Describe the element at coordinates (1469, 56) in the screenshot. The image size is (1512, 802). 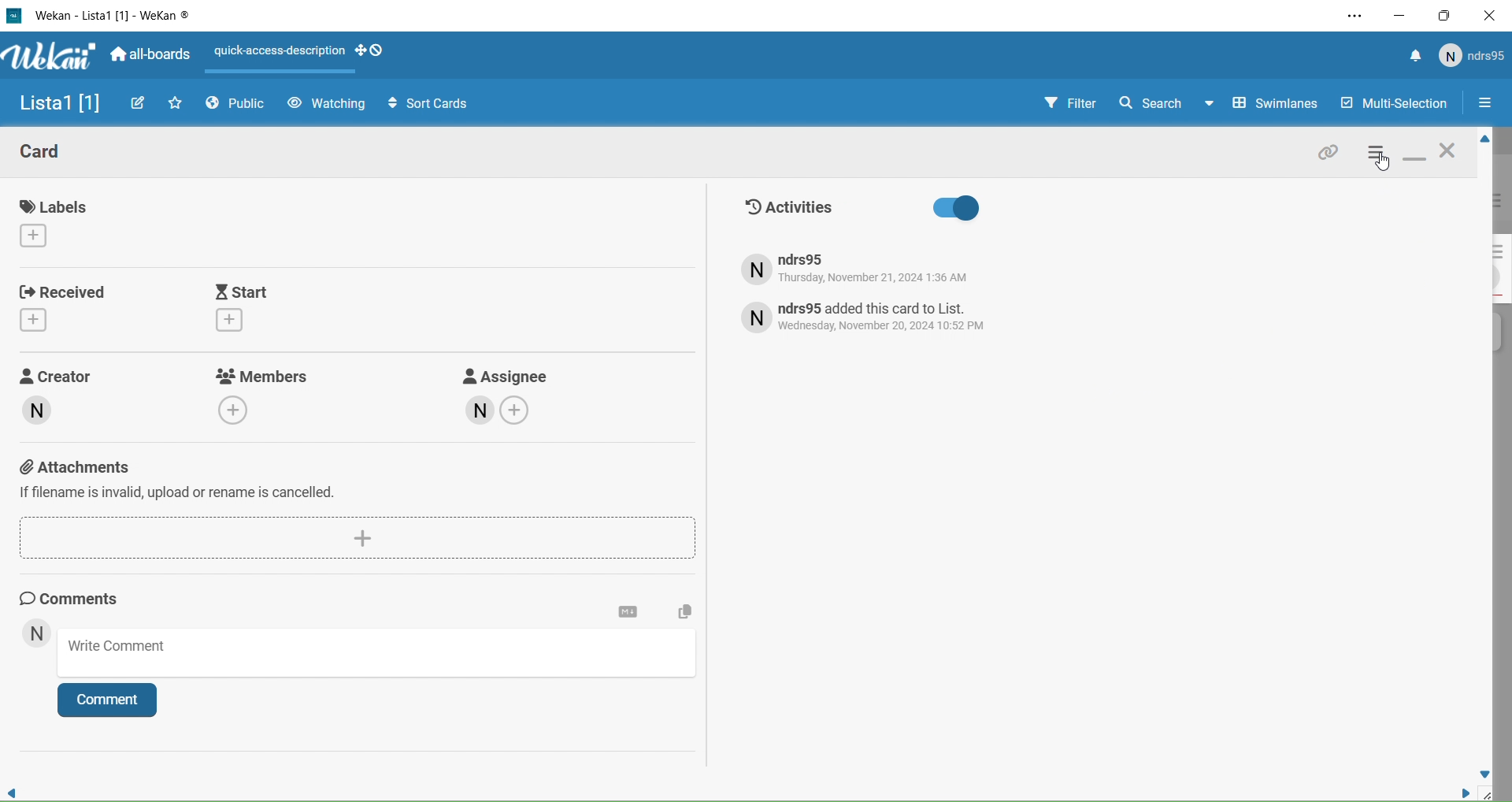
I see `User` at that location.